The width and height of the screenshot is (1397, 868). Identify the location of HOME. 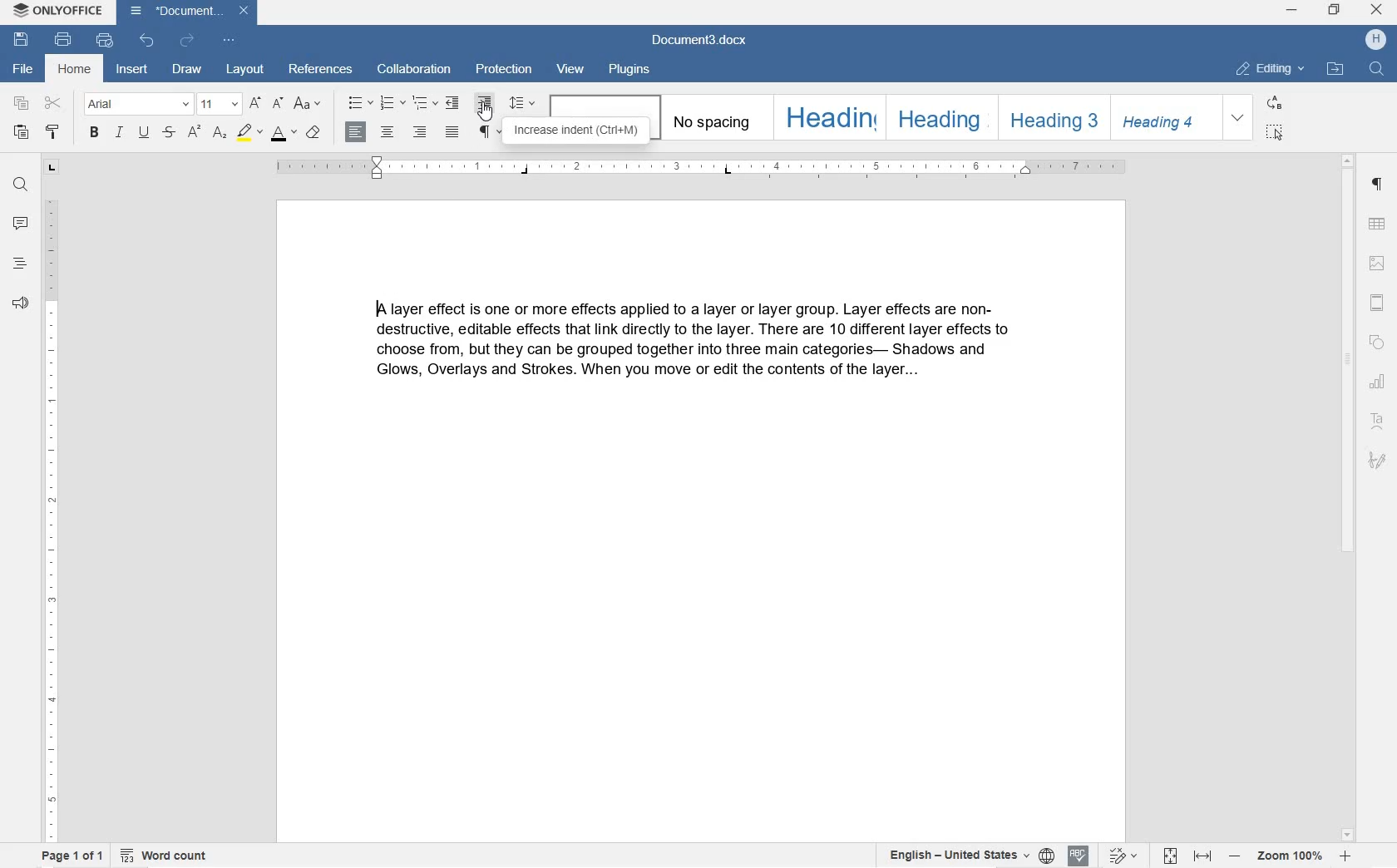
(72, 69).